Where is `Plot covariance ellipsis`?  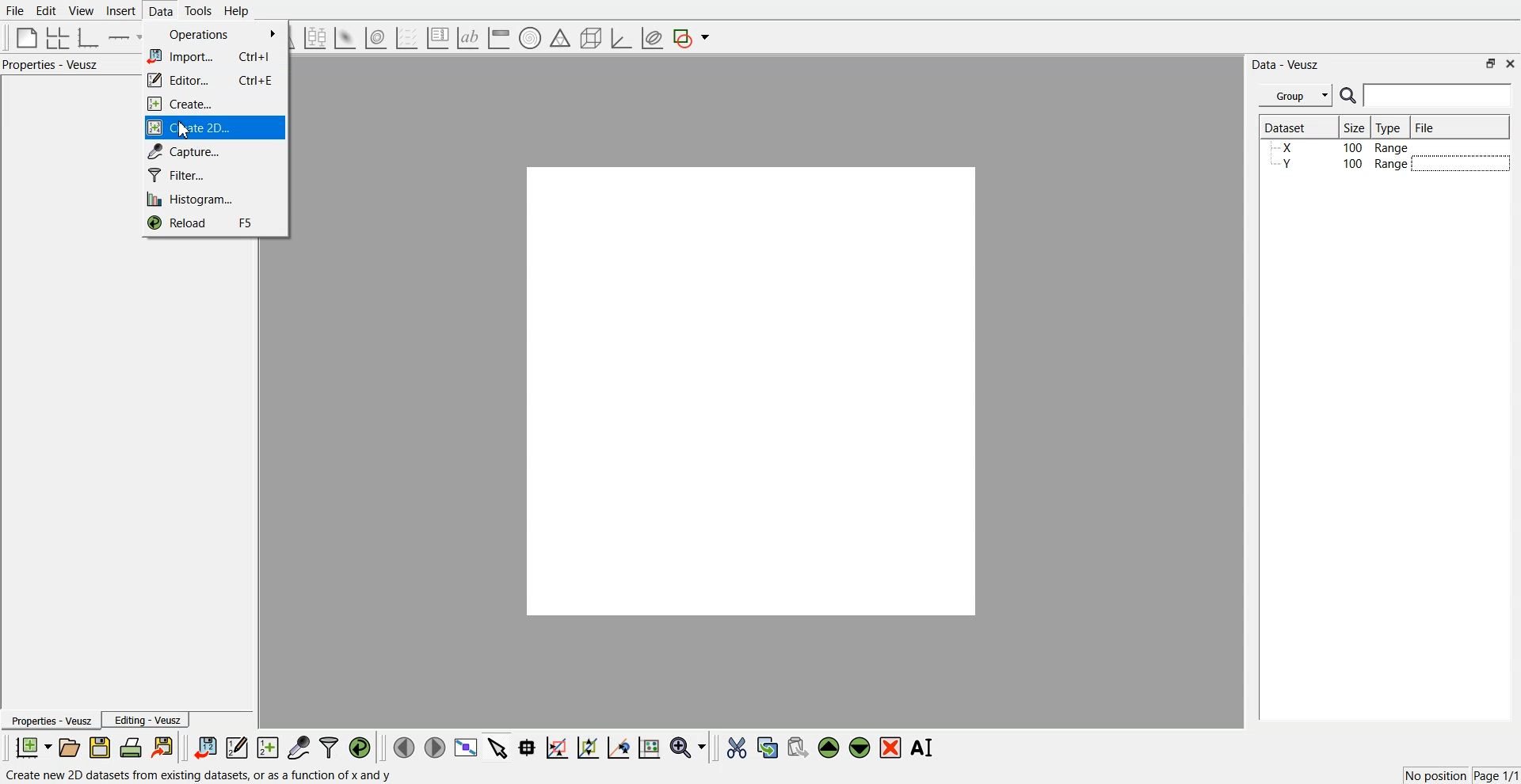 Plot covariance ellipsis is located at coordinates (653, 39).